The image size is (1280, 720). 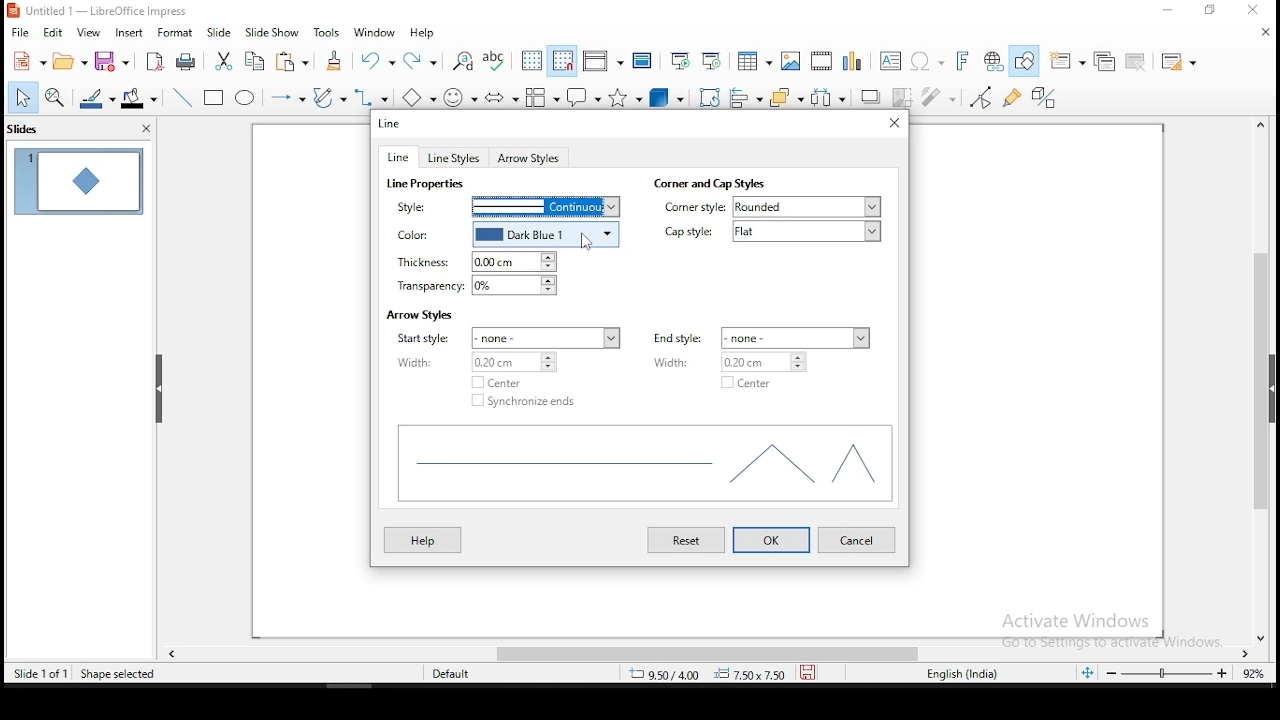 What do you see at coordinates (256, 61) in the screenshot?
I see `copy` at bounding box center [256, 61].